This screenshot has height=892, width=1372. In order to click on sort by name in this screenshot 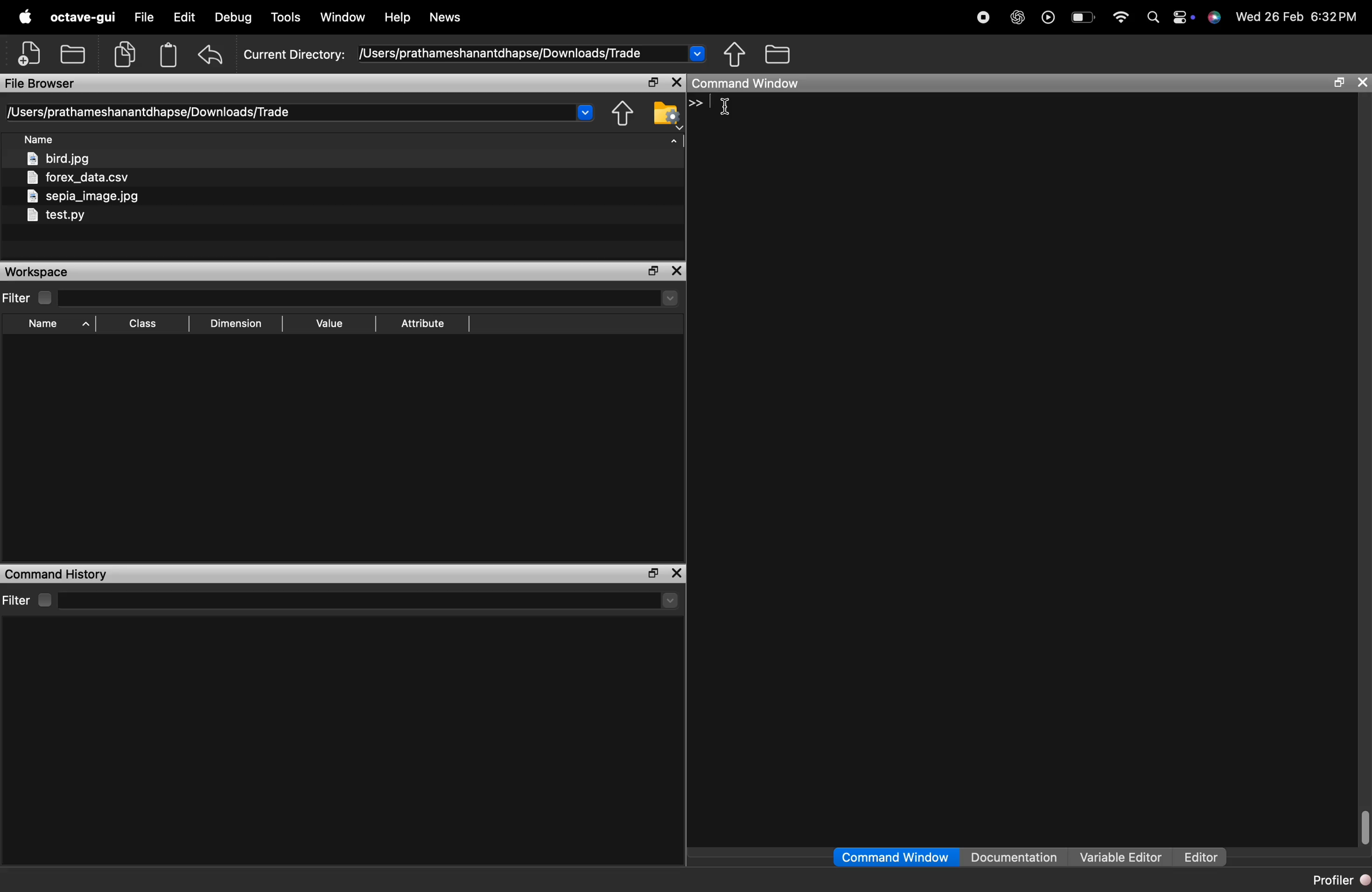, I will do `click(43, 141)`.